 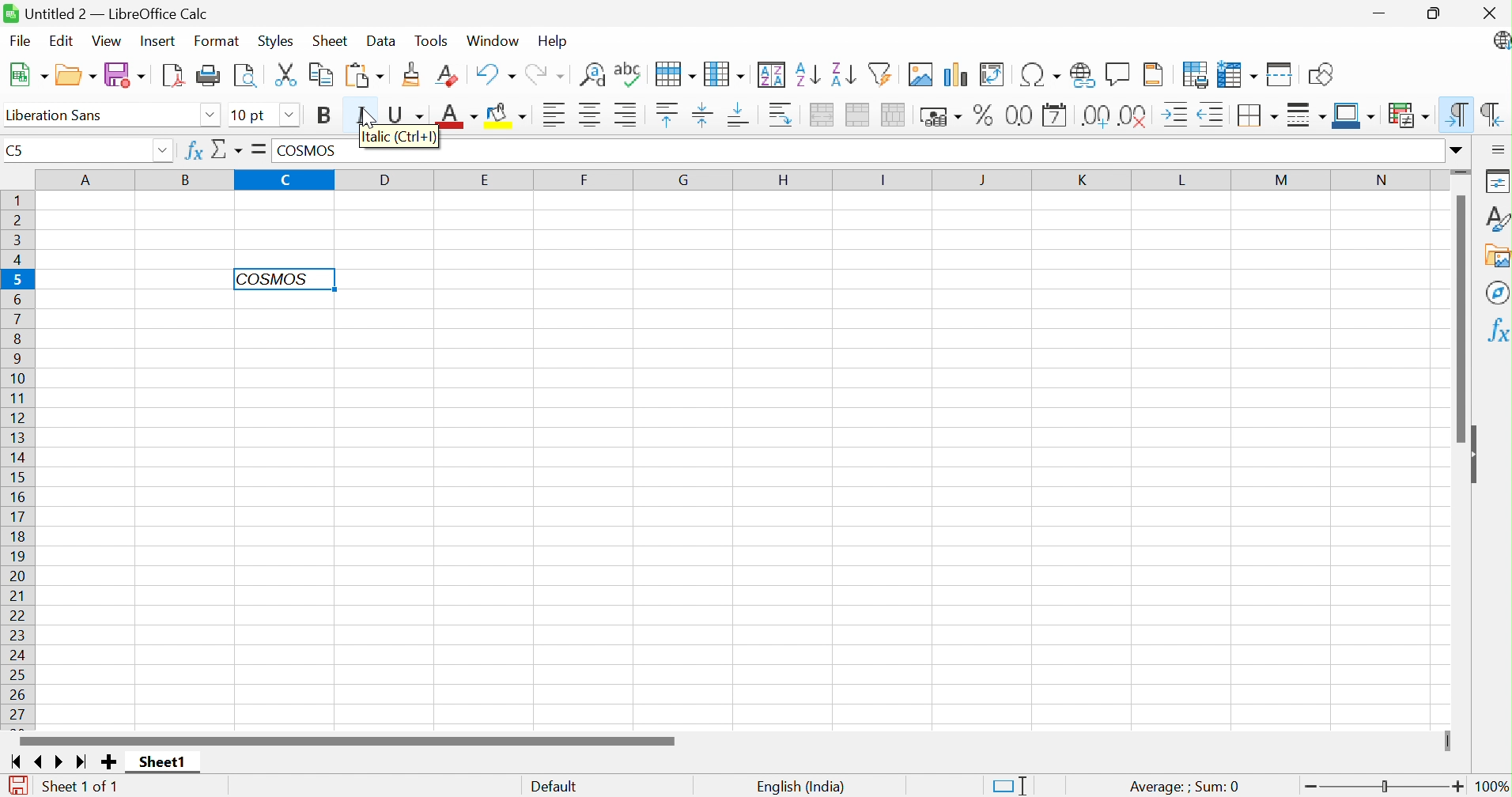 I want to click on Conditional, so click(x=1408, y=113).